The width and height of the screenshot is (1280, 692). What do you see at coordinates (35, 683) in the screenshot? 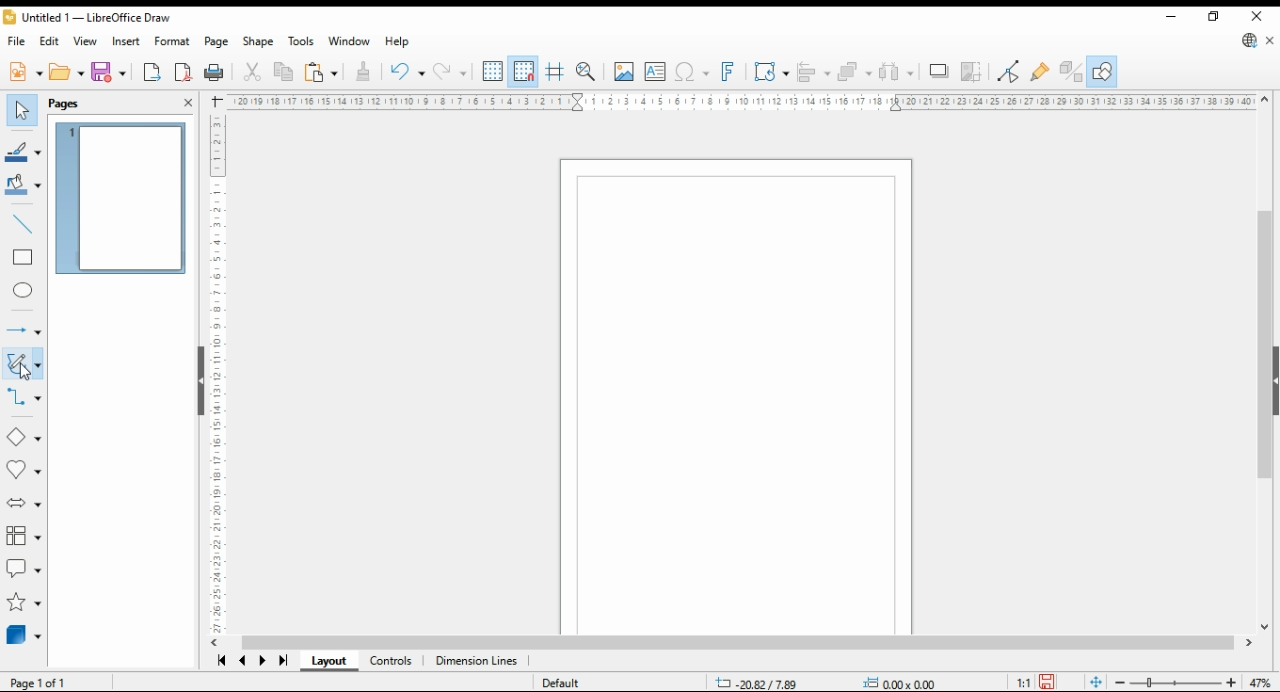
I see `pagw 1 of 1` at bounding box center [35, 683].